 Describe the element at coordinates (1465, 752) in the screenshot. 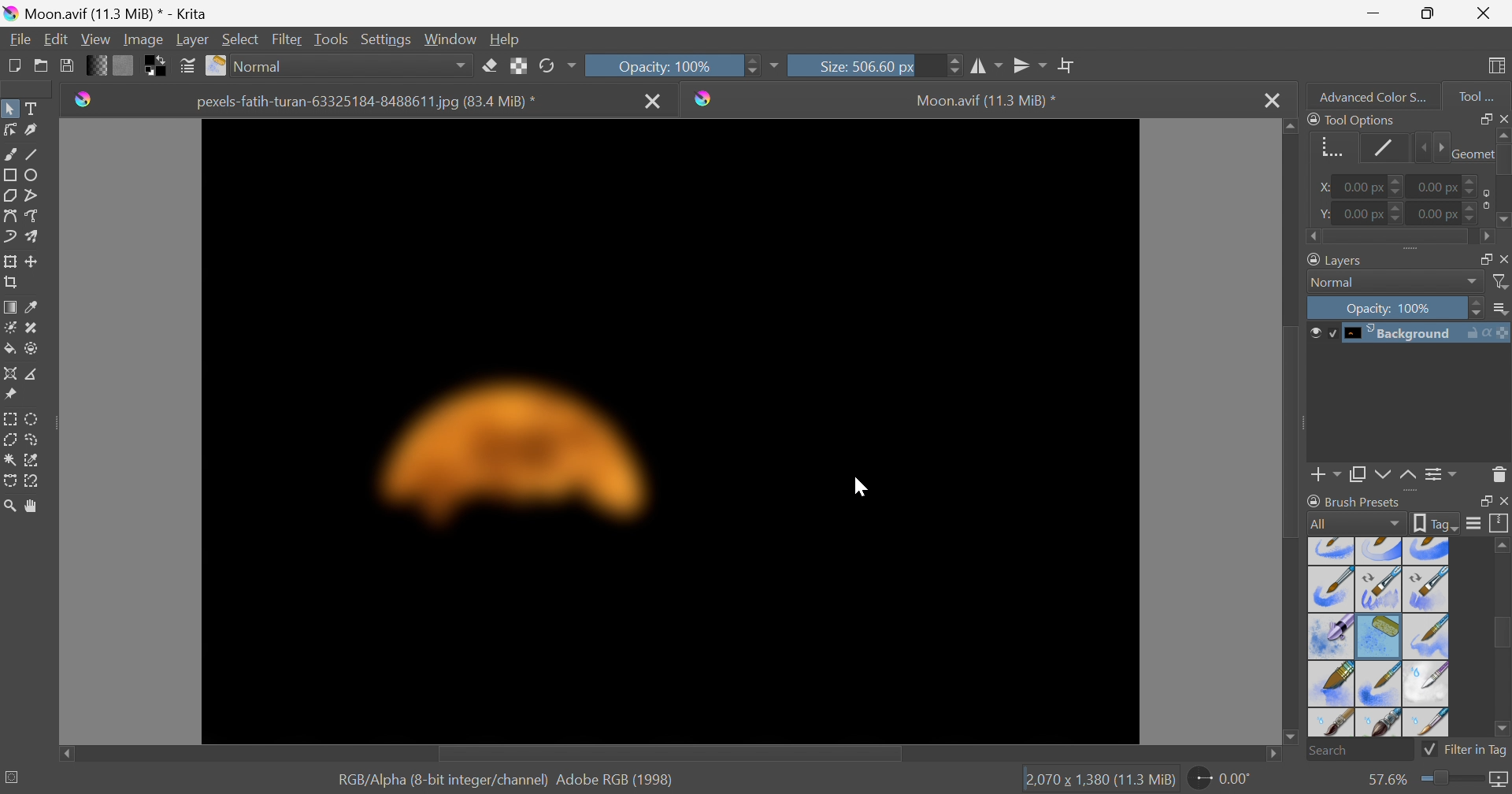

I see `Filter in Tag` at that location.